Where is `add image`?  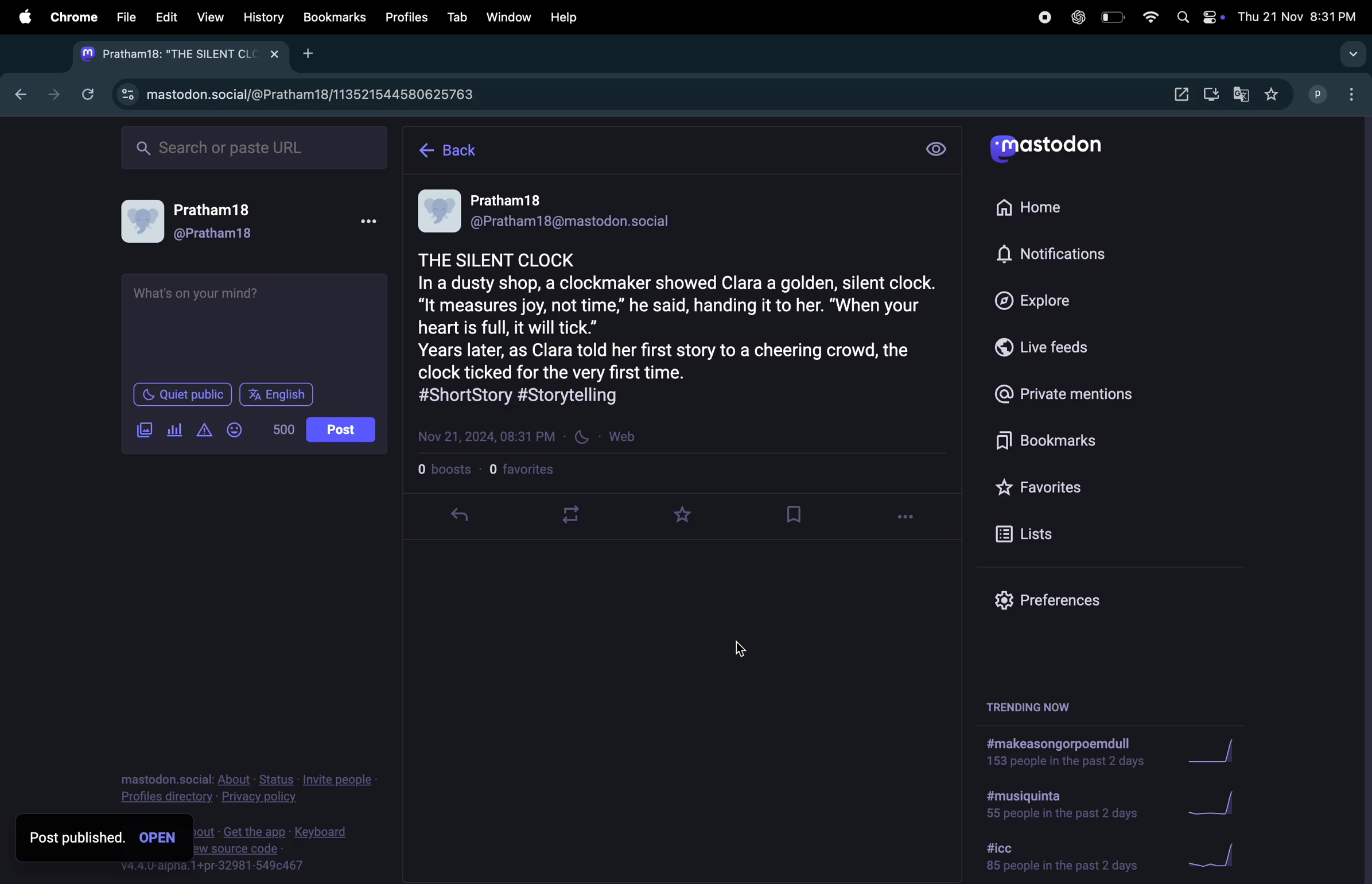 add image is located at coordinates (146, 431).